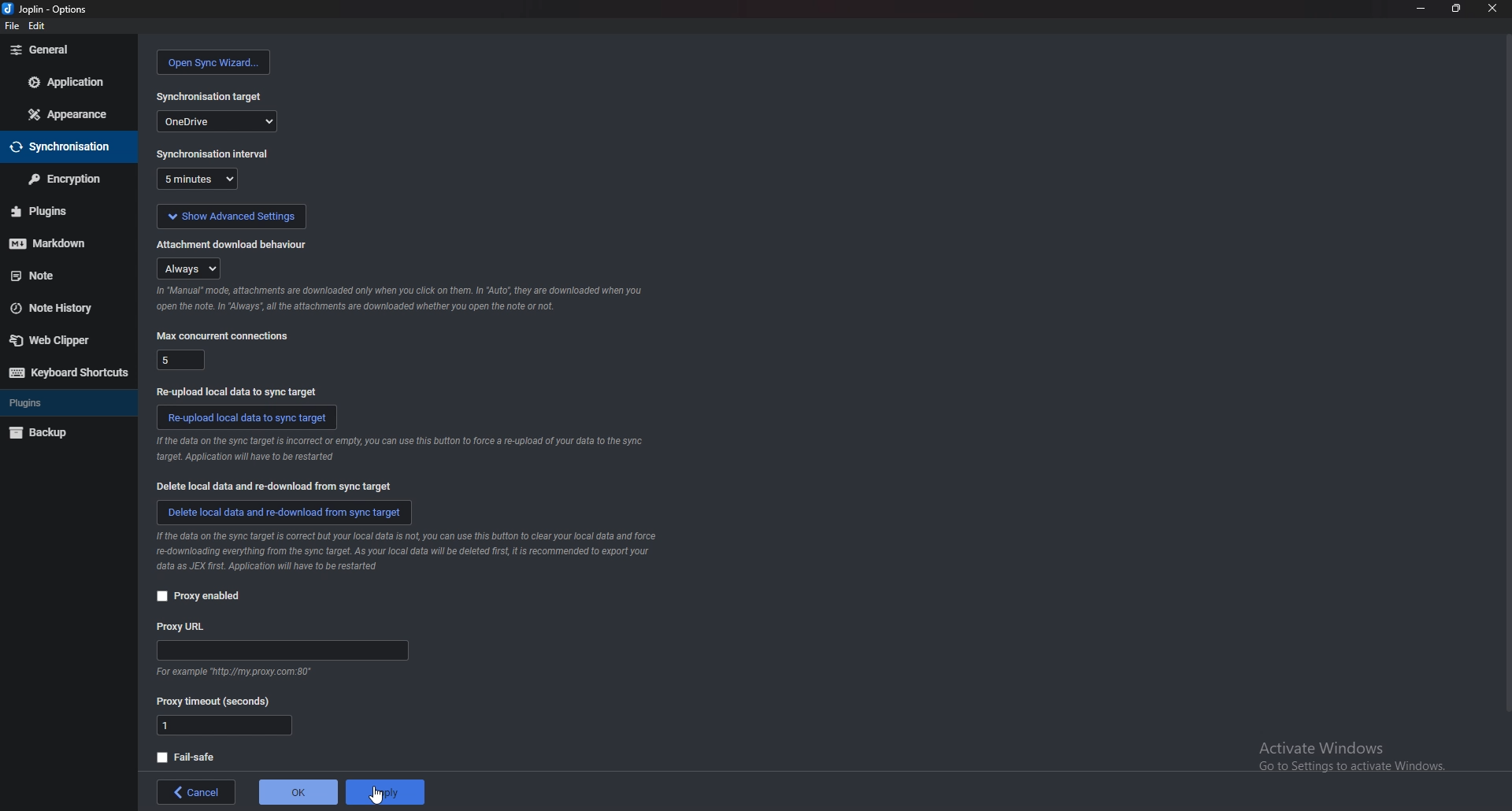  What do you see at coordinates (282, 651) in the screenshot?
I see `proxy url` at bounding box center [282, 651].